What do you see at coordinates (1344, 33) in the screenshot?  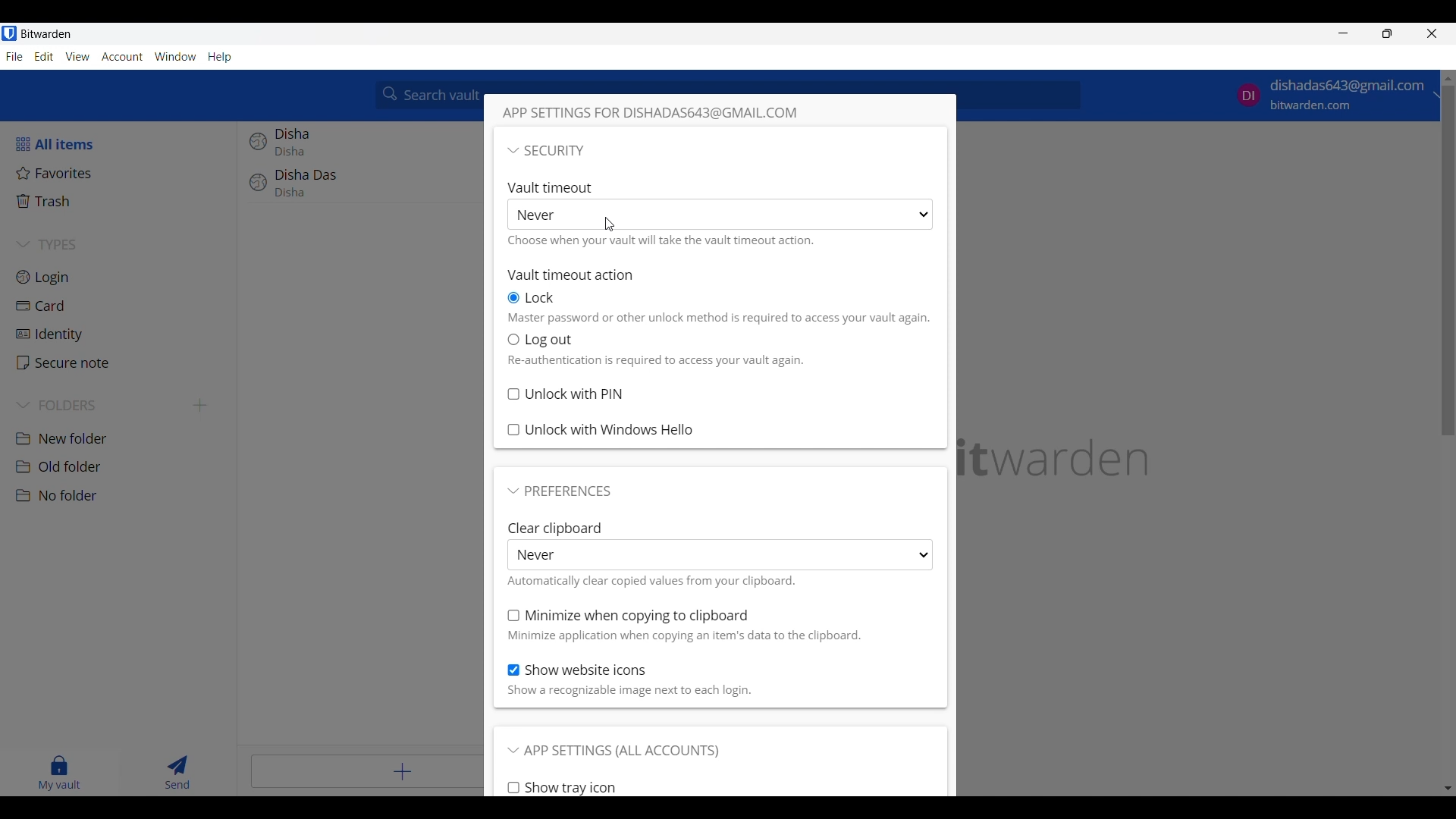 I see `Minimize` at bounding box center [1344, 33].